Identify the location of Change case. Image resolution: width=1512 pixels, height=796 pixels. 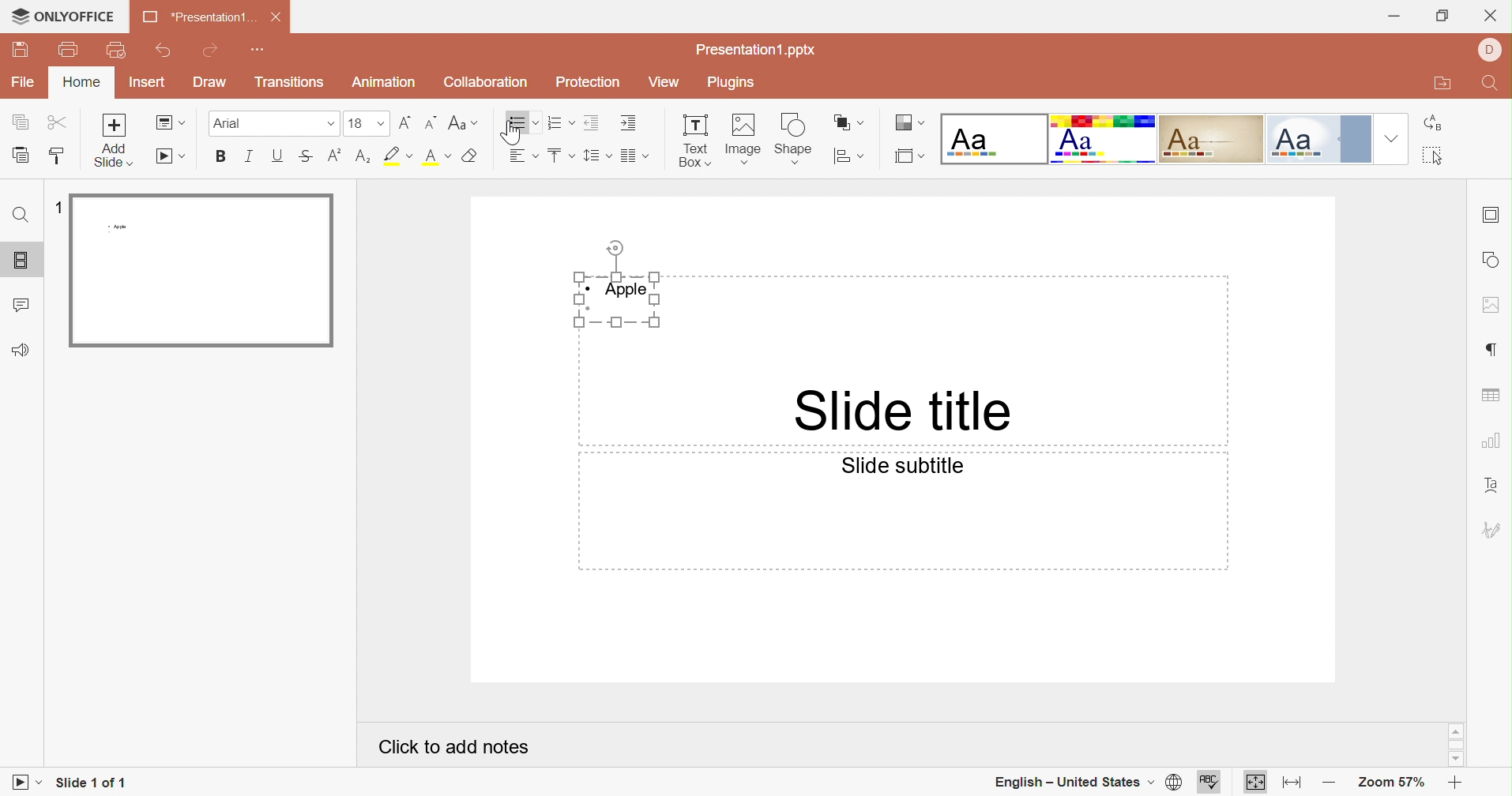
(465, 125).